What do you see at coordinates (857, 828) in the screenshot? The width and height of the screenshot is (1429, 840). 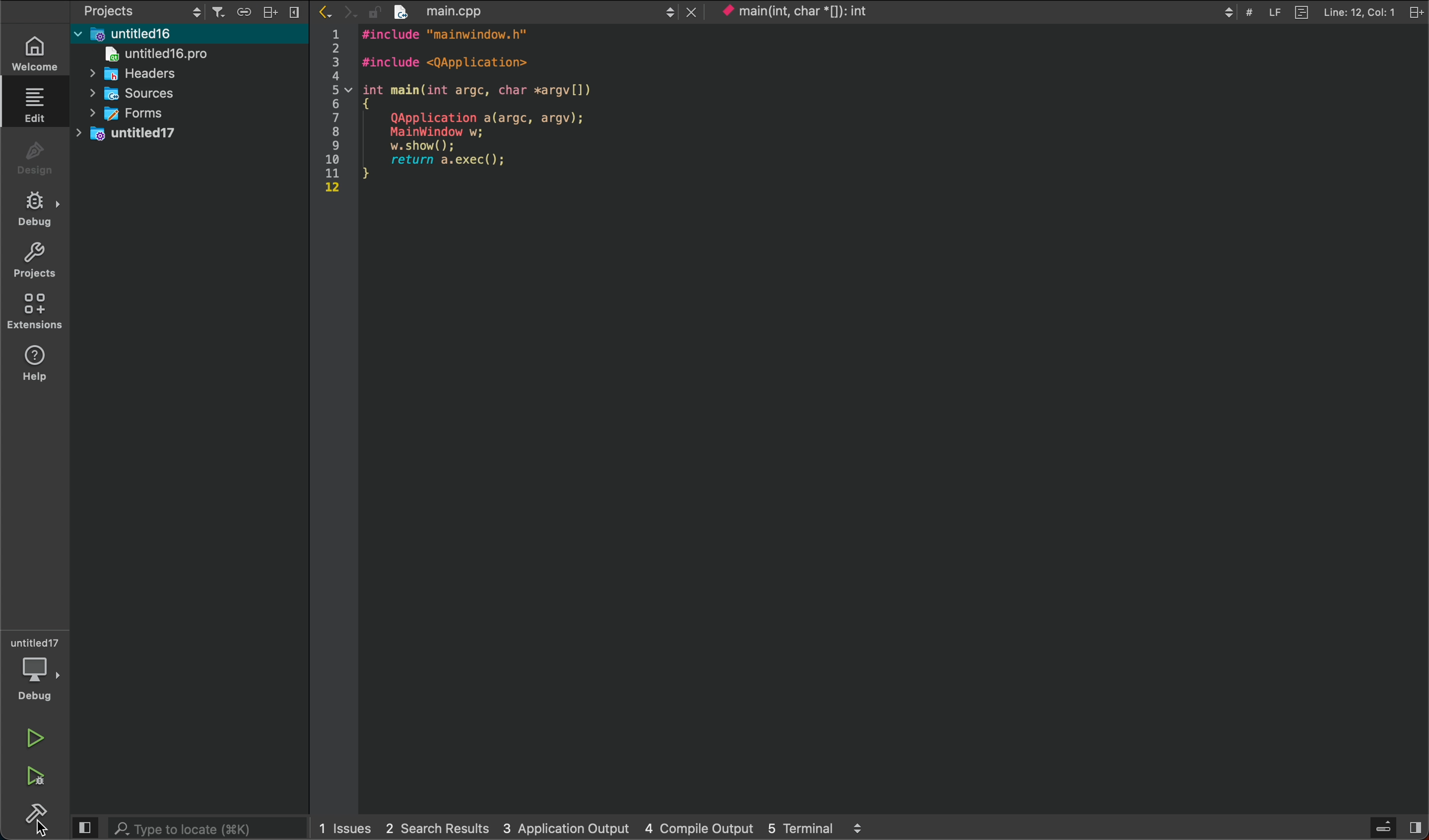 I see `up/down` at bounding box center [857, 828].